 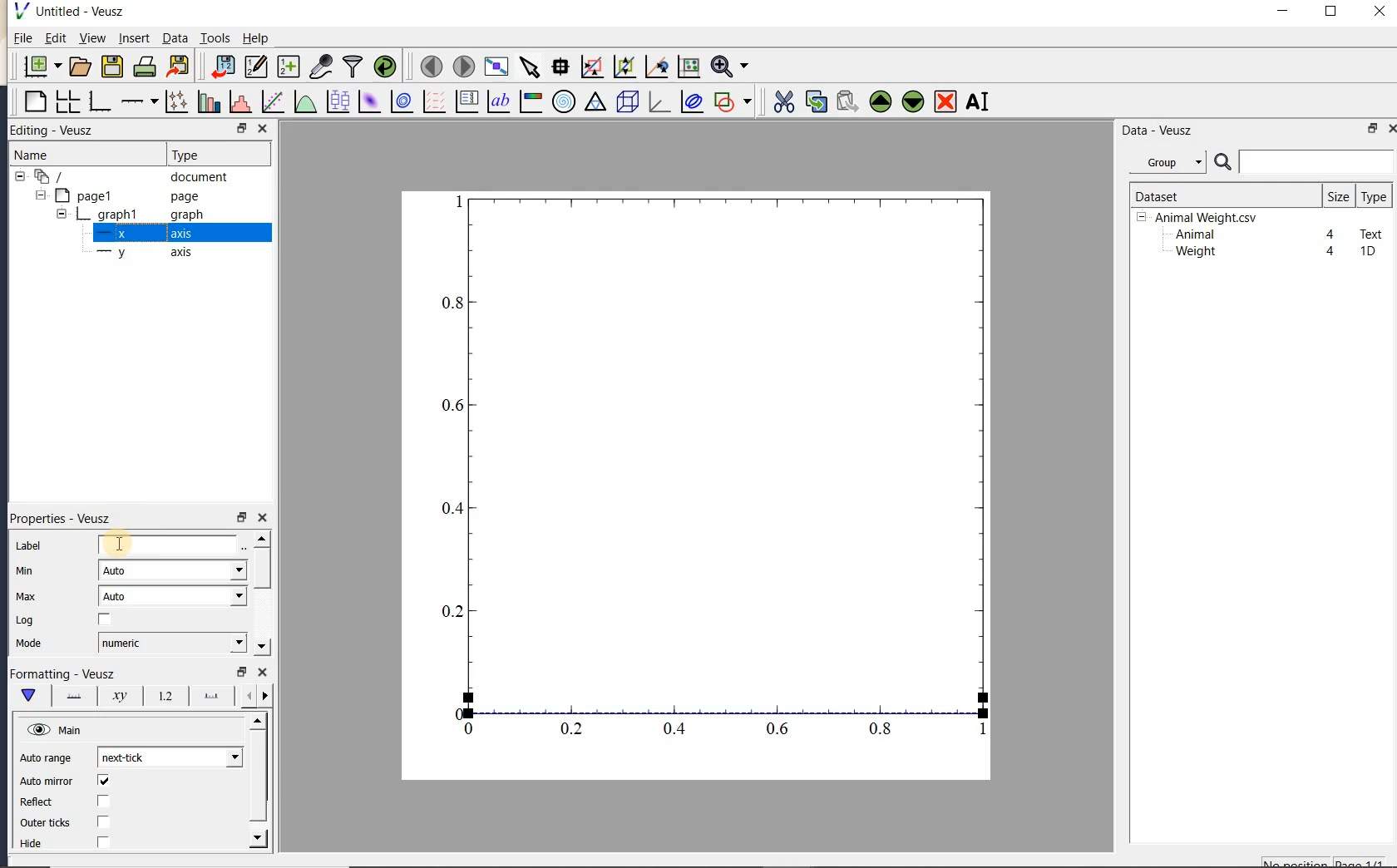 What do you see at coordinates (432, 102) in the screenshot?
I see `plot a vector field` at bounding box center [432, 102].